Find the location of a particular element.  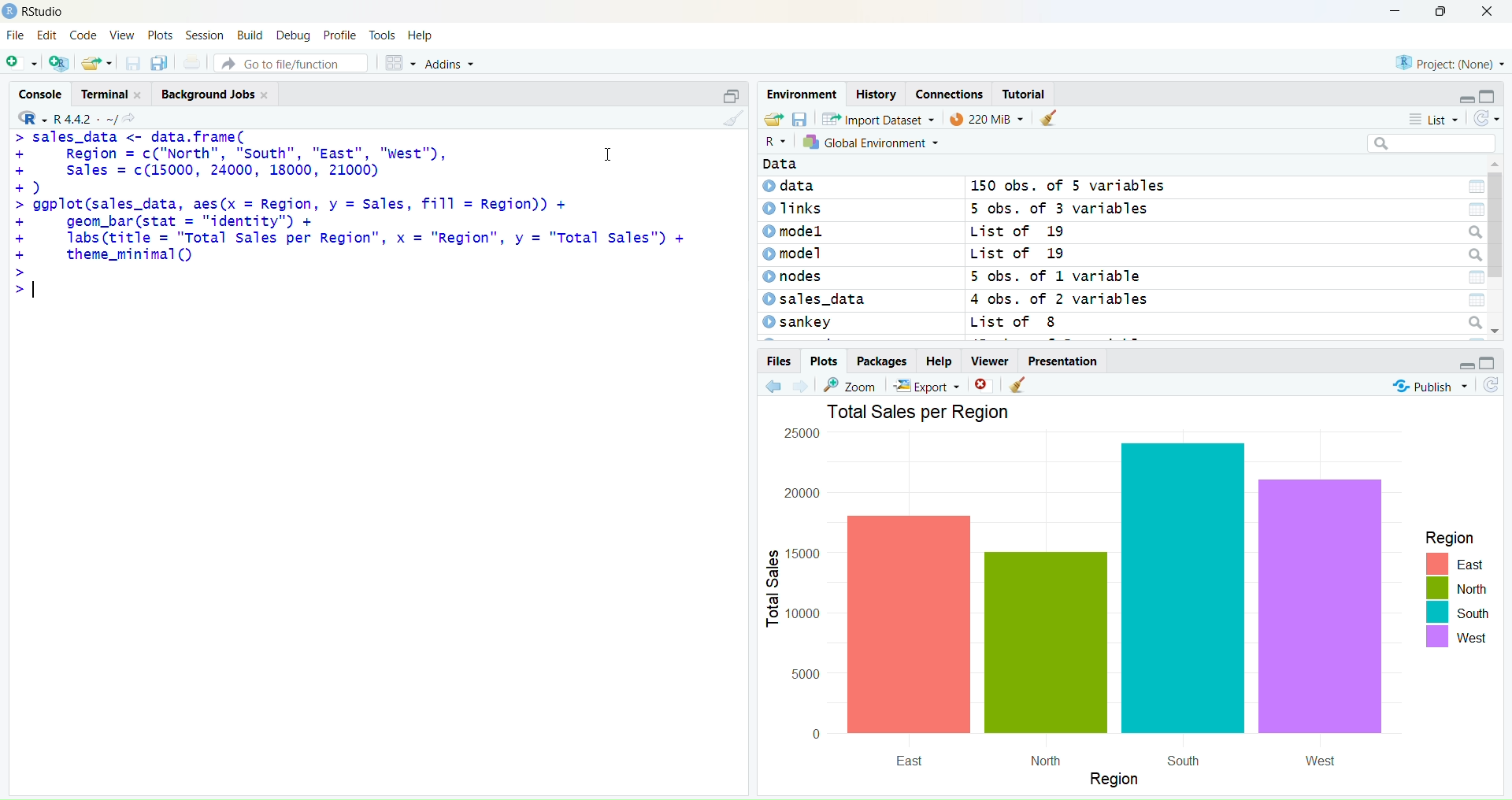

Debug is located at coordinates (293, 35).